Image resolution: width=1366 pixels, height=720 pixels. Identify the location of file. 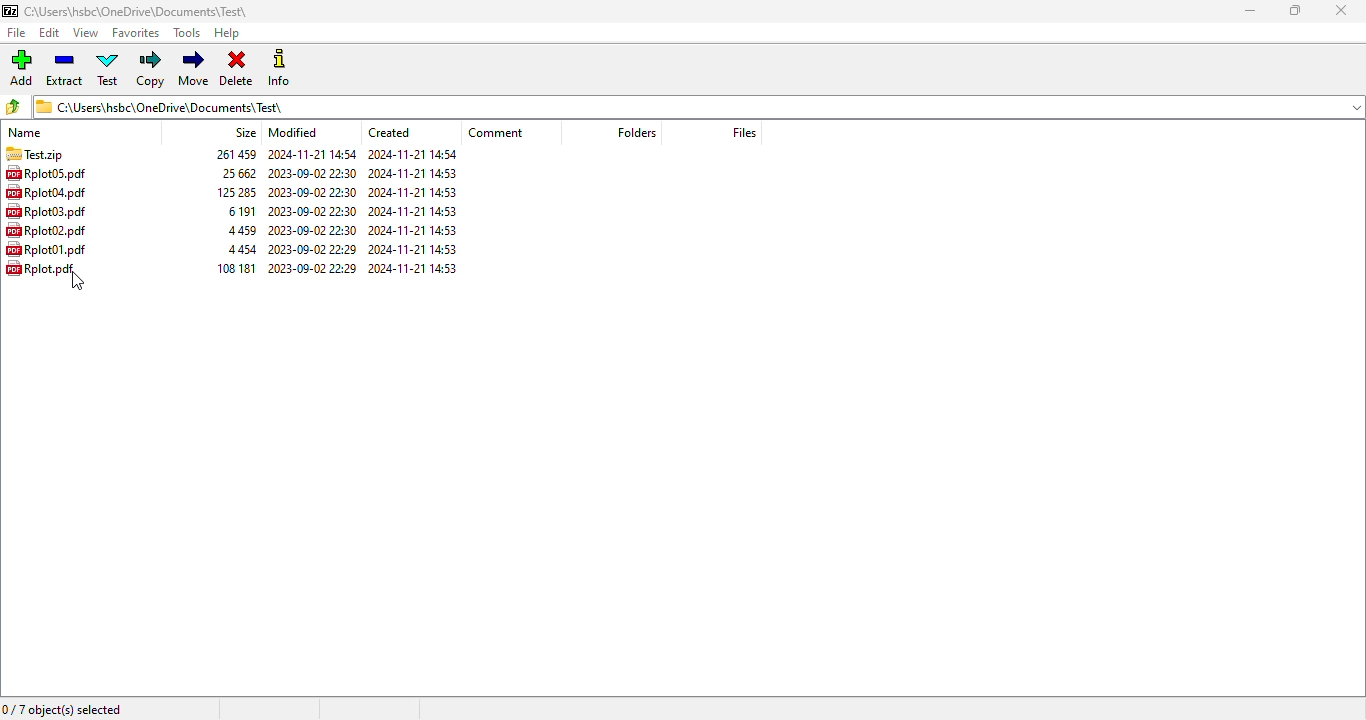
(16, 33).